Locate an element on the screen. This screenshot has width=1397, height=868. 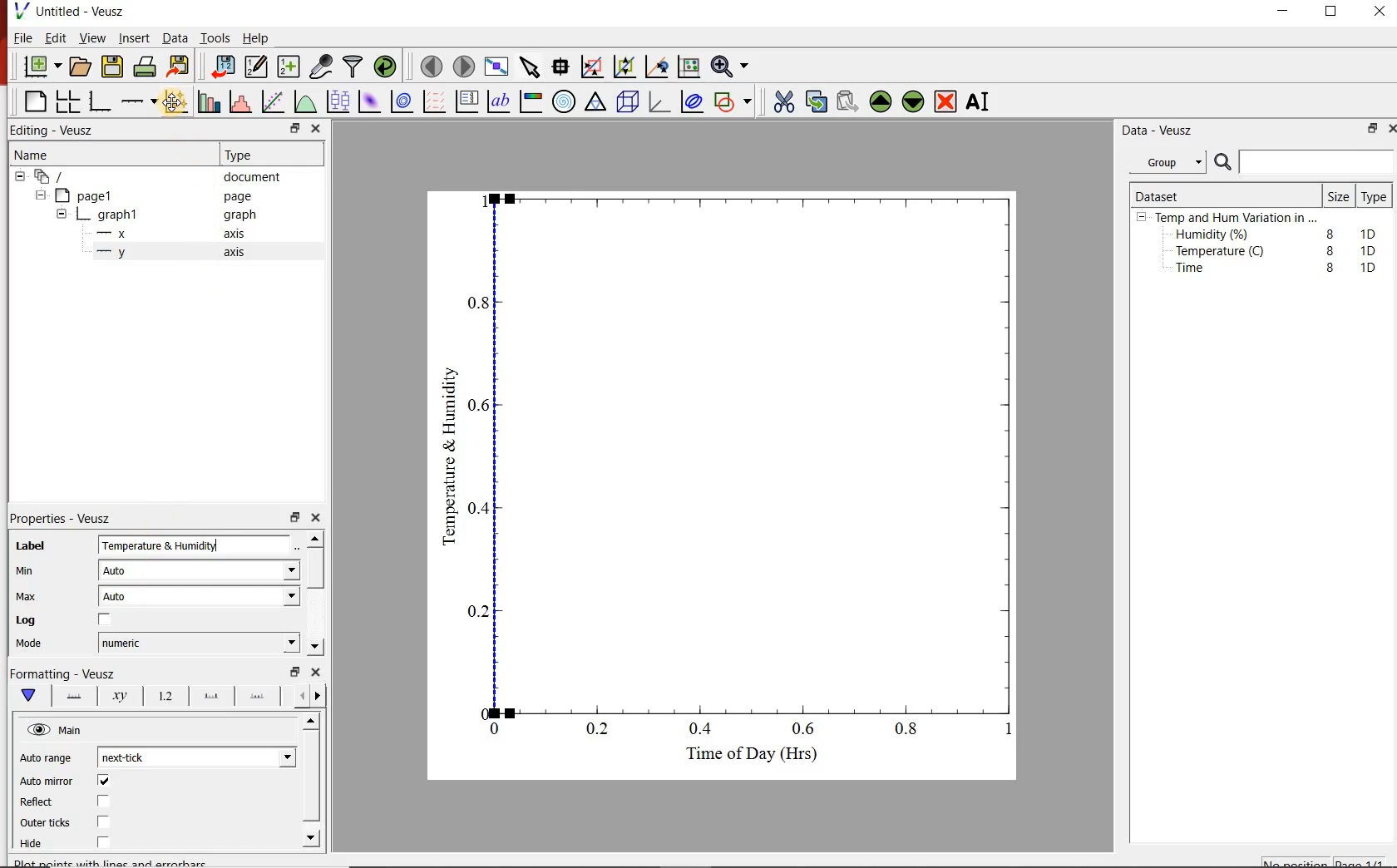
Time is located at coordinates (1199, 272).